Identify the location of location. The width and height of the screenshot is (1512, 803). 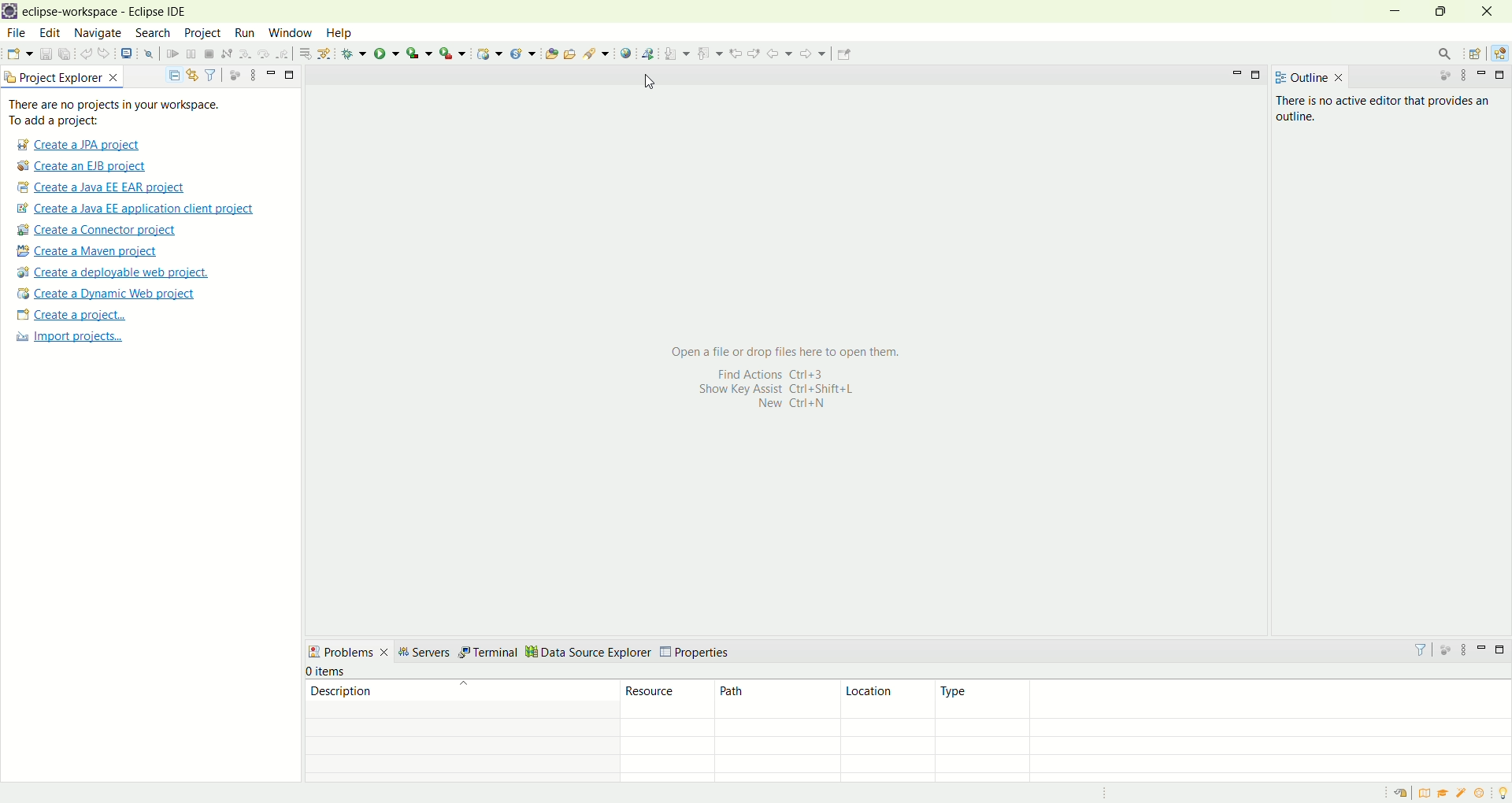
(886, 699).